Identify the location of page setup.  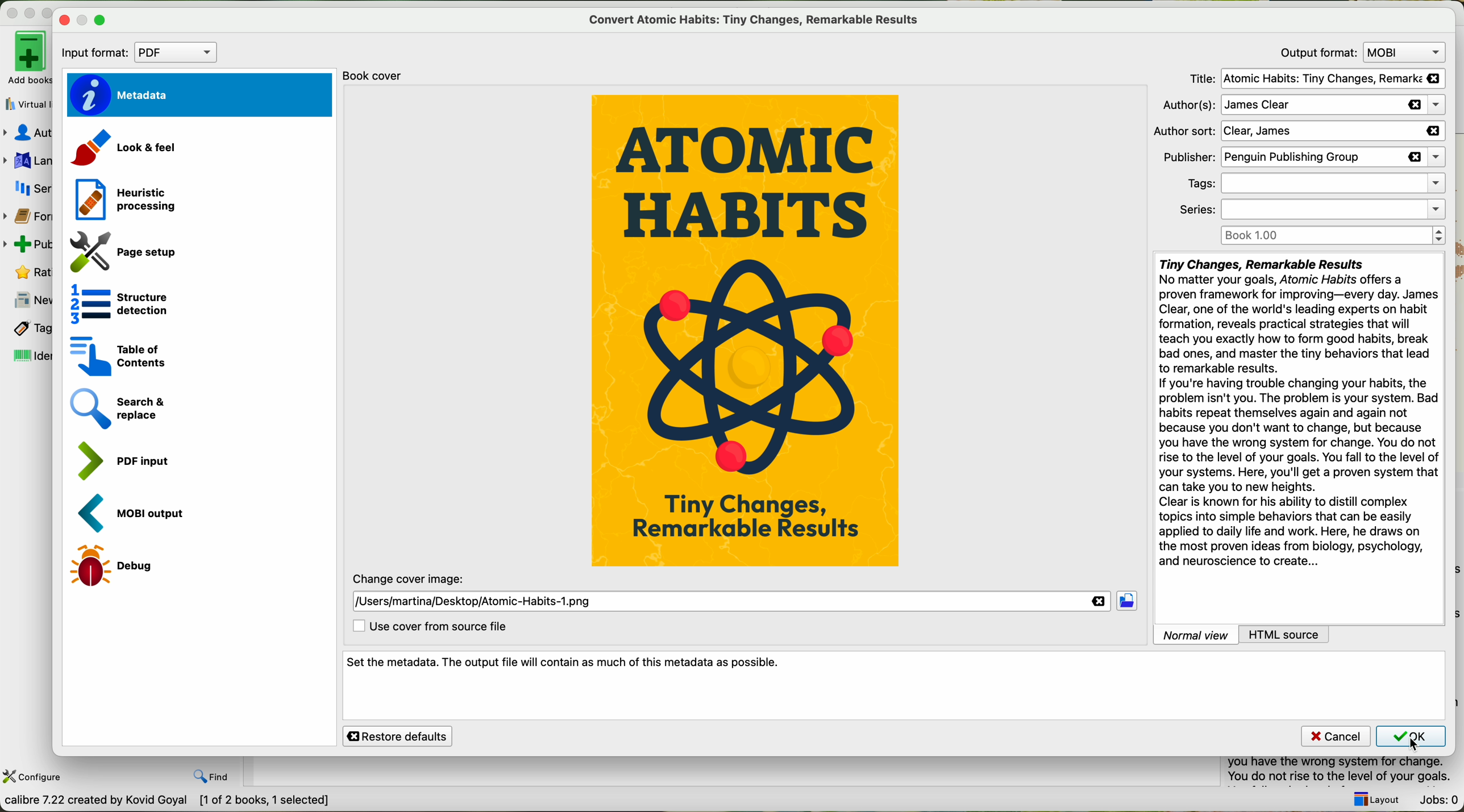
(128, 253).